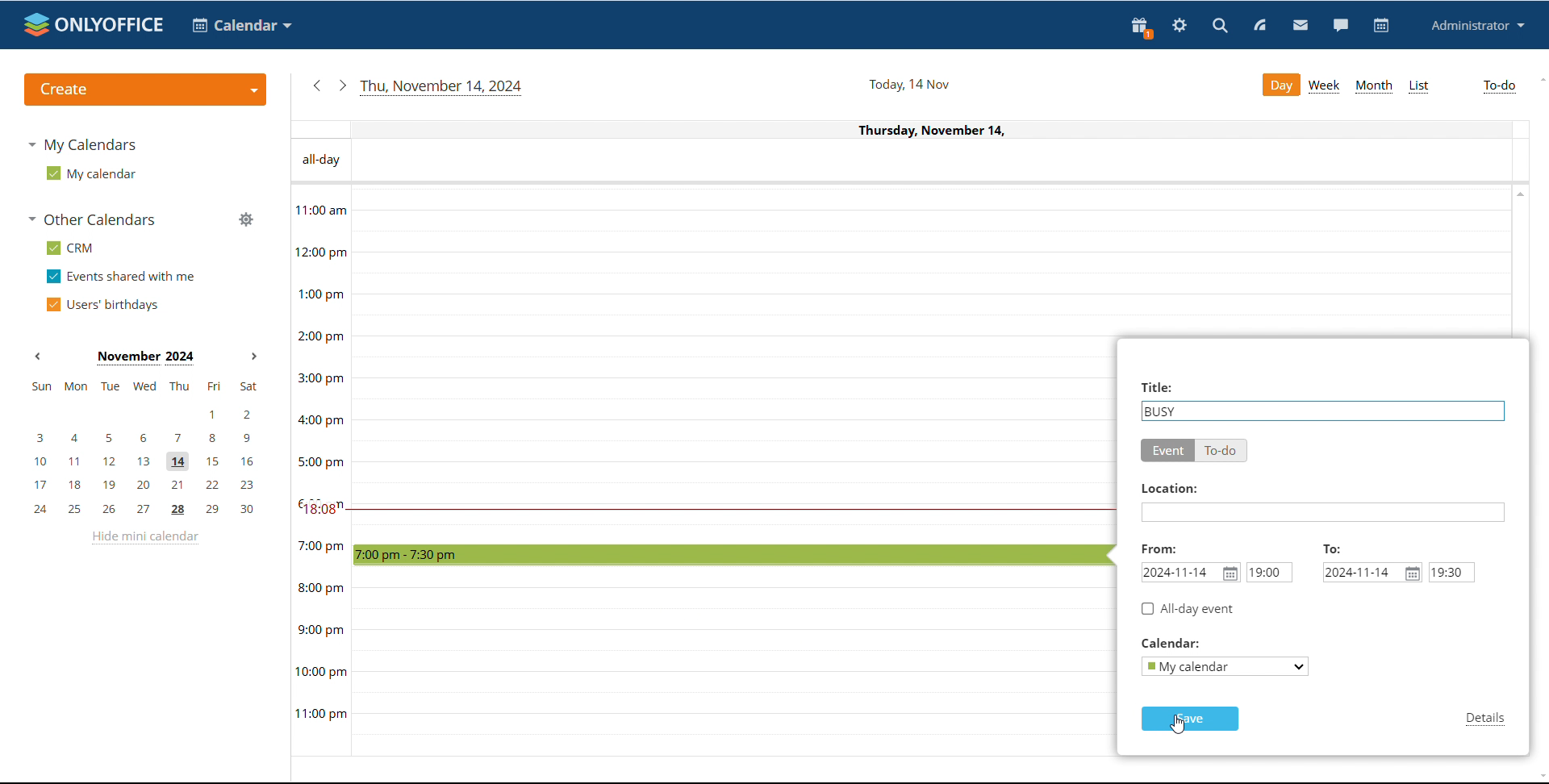 The width and height of the screenshot is (1549, 784). What do you see at coordinates (908, 85) in the screenshot?
I see `current date` at bounding box center [908, 85].